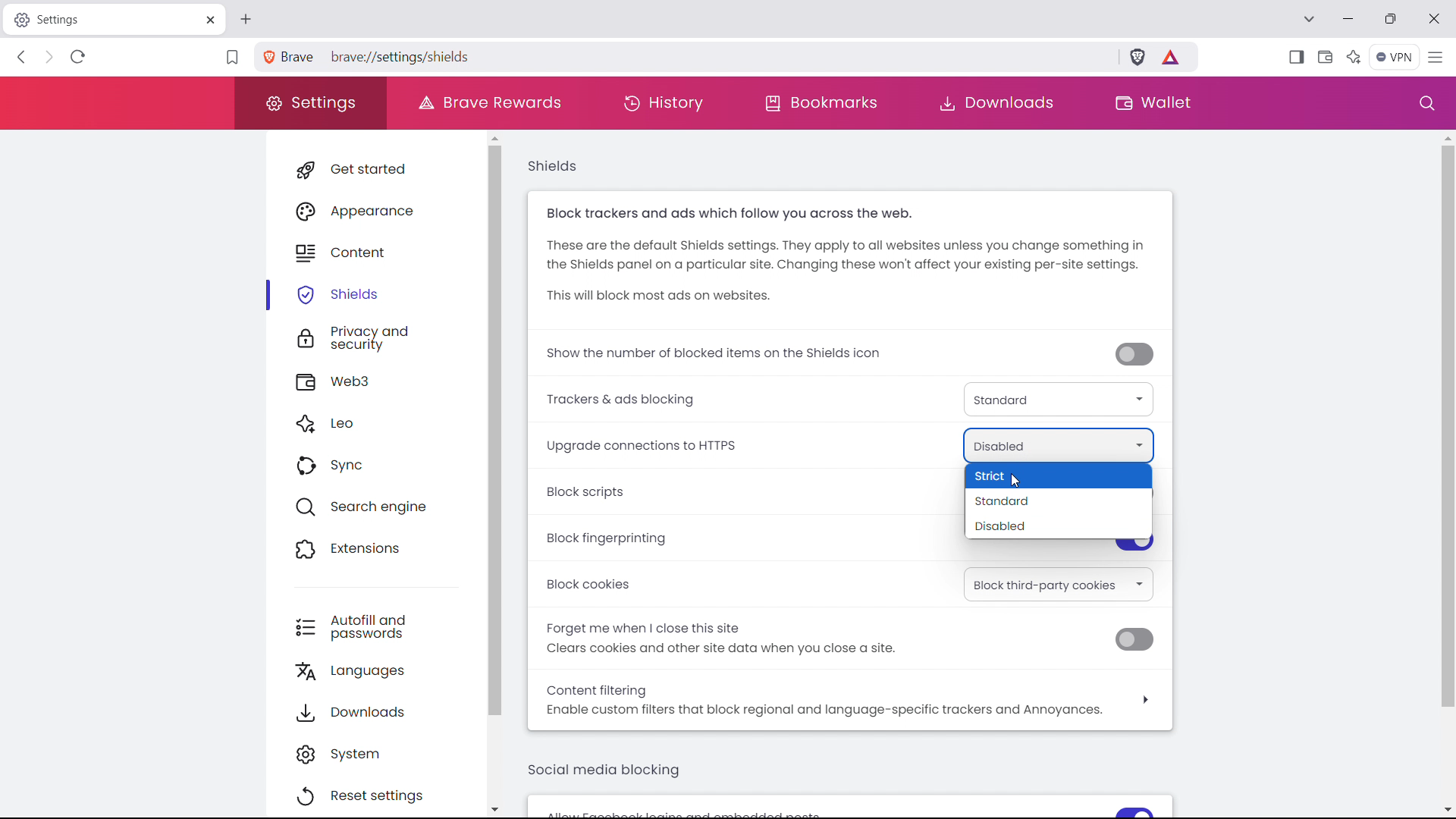 This screenshot has height=819, width=1456. What do you see at coordinates (384, 422) in the screenshot?
I see `leo` at bounding box center [384, 422].